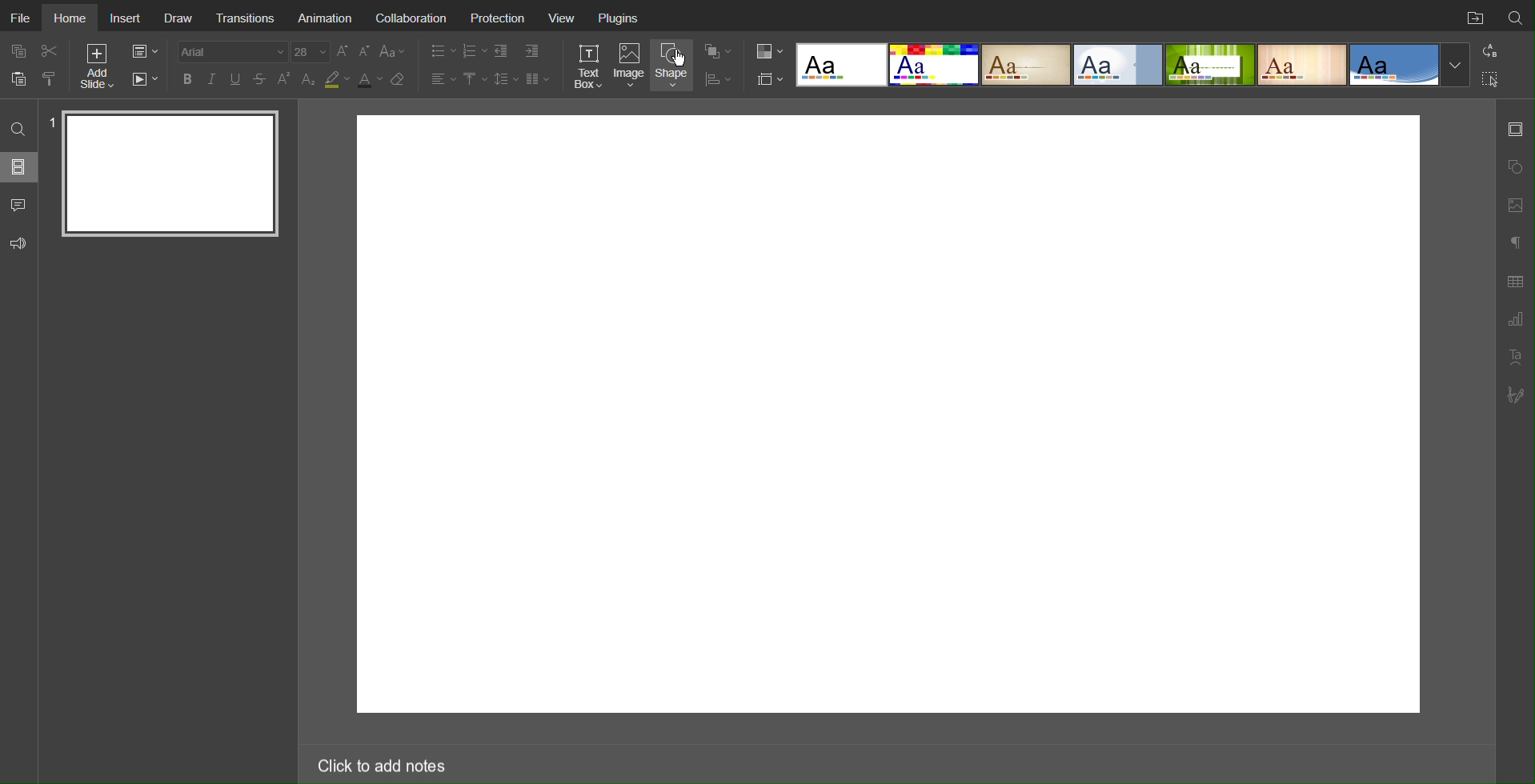  What do you see at coordinates (506, 78) in the screenshot?
I see `Line Spacing` at bounding box center [506, 78].